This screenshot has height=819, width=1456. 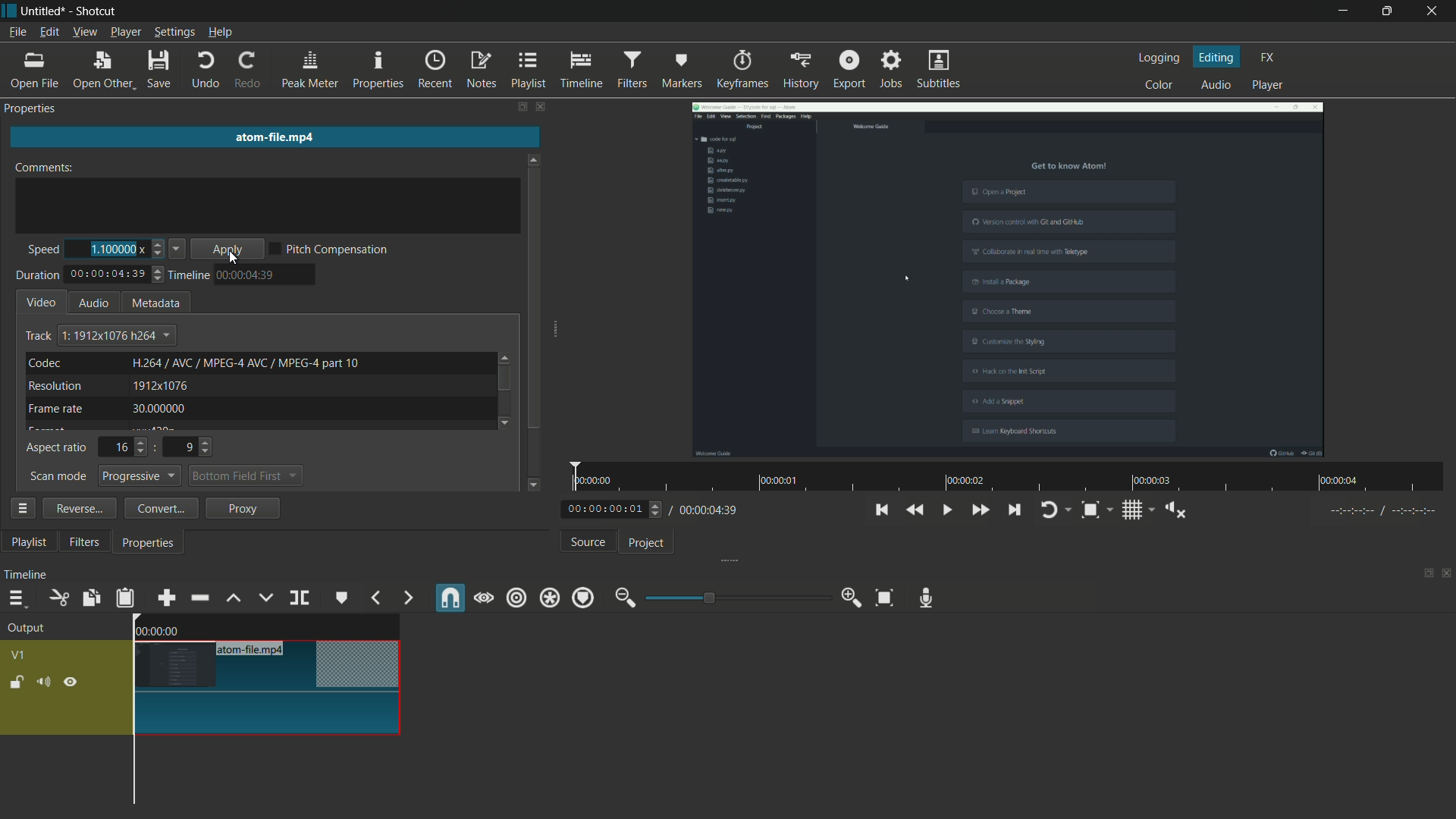 I want to click on go down, so click(x=508, y=421).